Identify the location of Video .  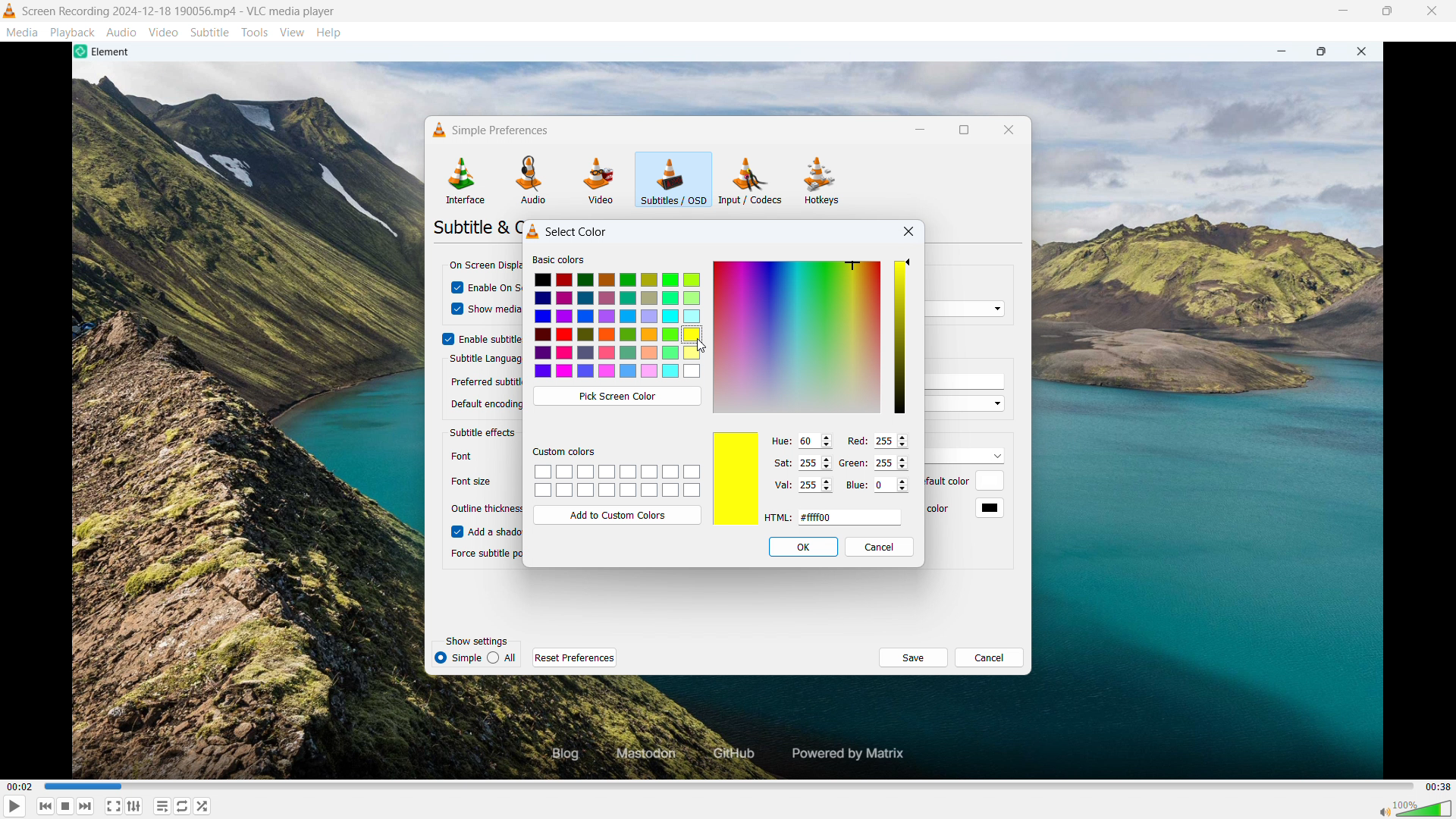
(163, 33).